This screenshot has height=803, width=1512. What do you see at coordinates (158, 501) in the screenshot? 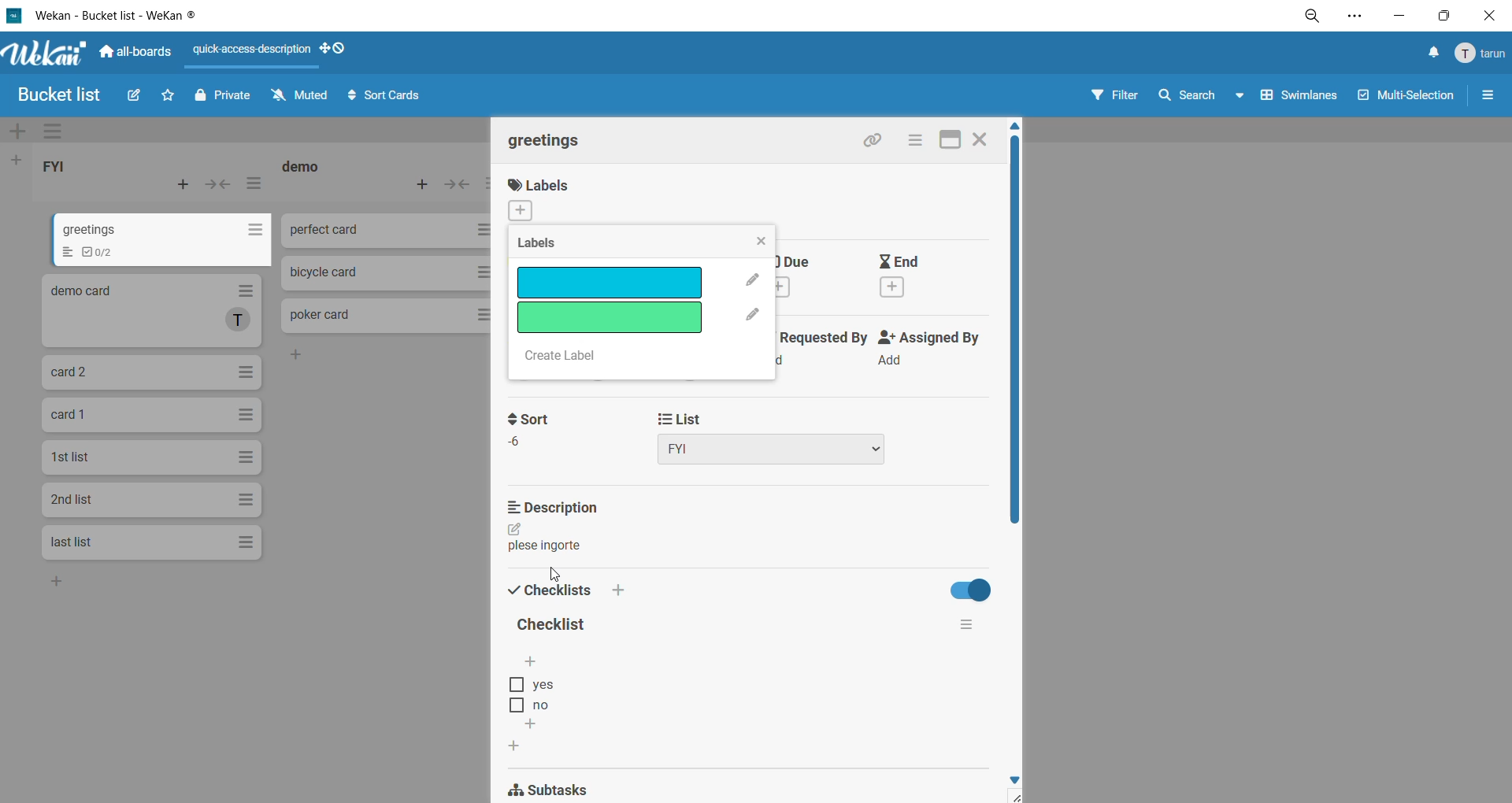
I see `2nd list ` at bounding box center [158, 501].